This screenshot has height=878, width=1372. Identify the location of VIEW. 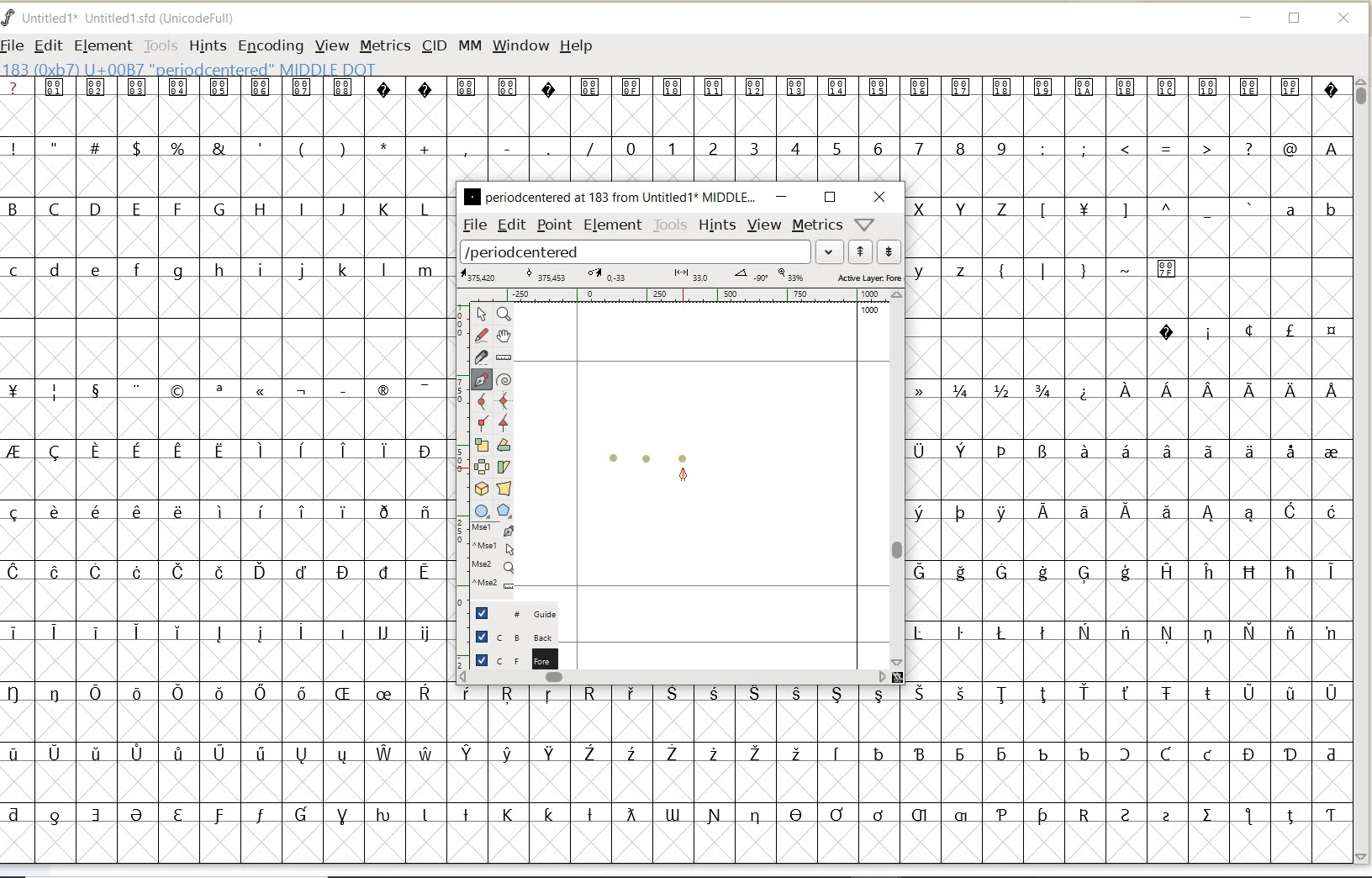
(332, 46).